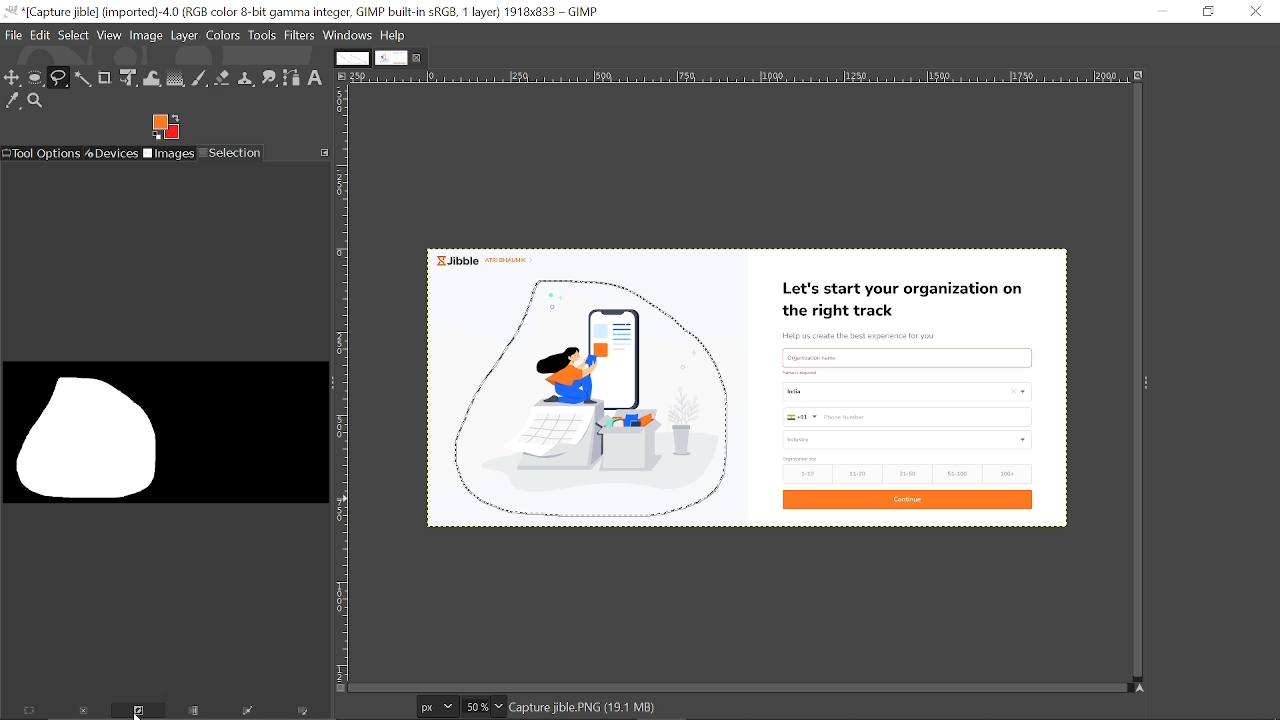 The height and width of the screenshot is (720, 1280). Describe the element at coordinates (130, 79) in the screenshot. I see `unified transform tool` at that location.